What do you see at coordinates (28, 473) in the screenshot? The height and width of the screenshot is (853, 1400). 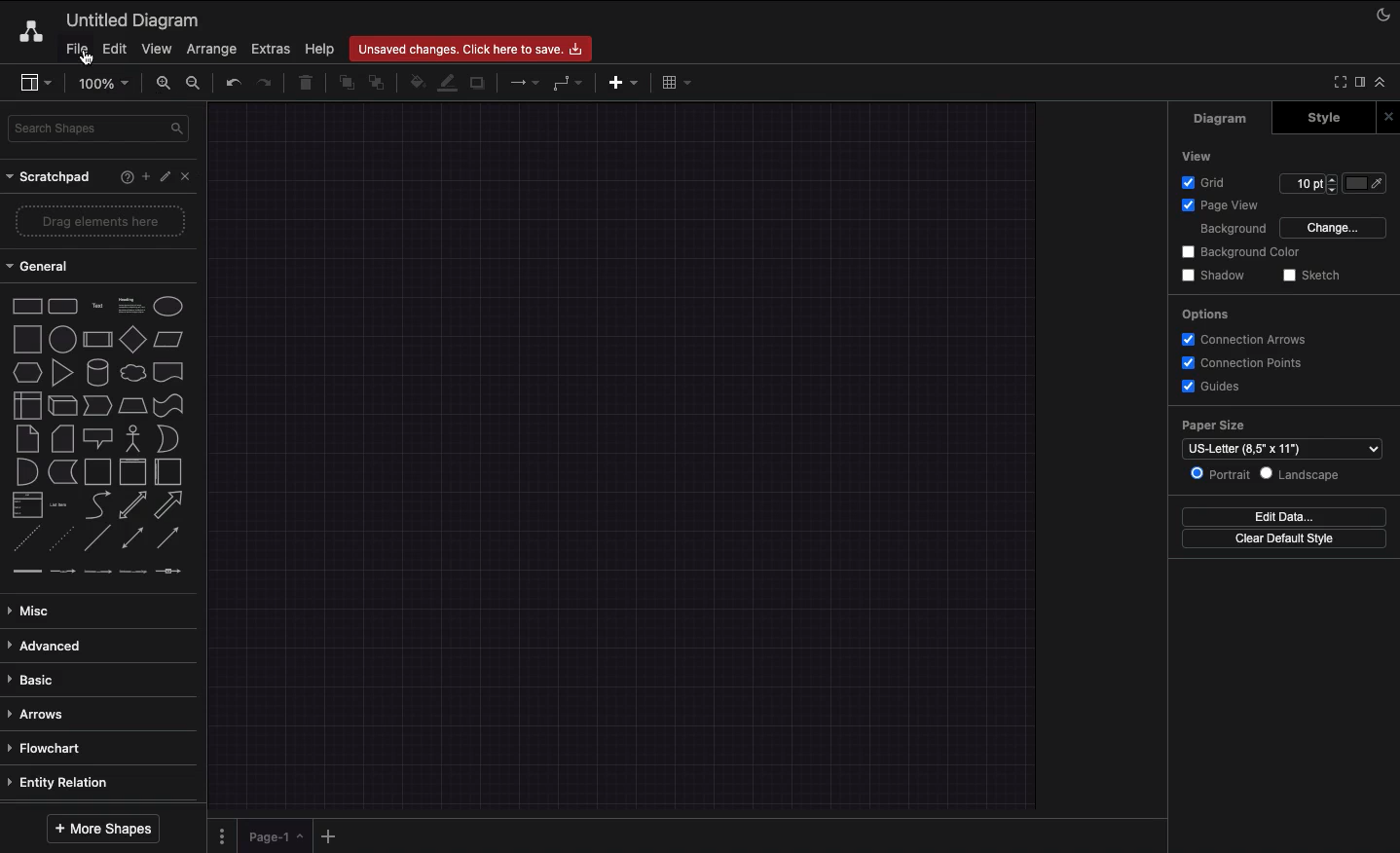 I see `And` at bounding box center [28, 473].